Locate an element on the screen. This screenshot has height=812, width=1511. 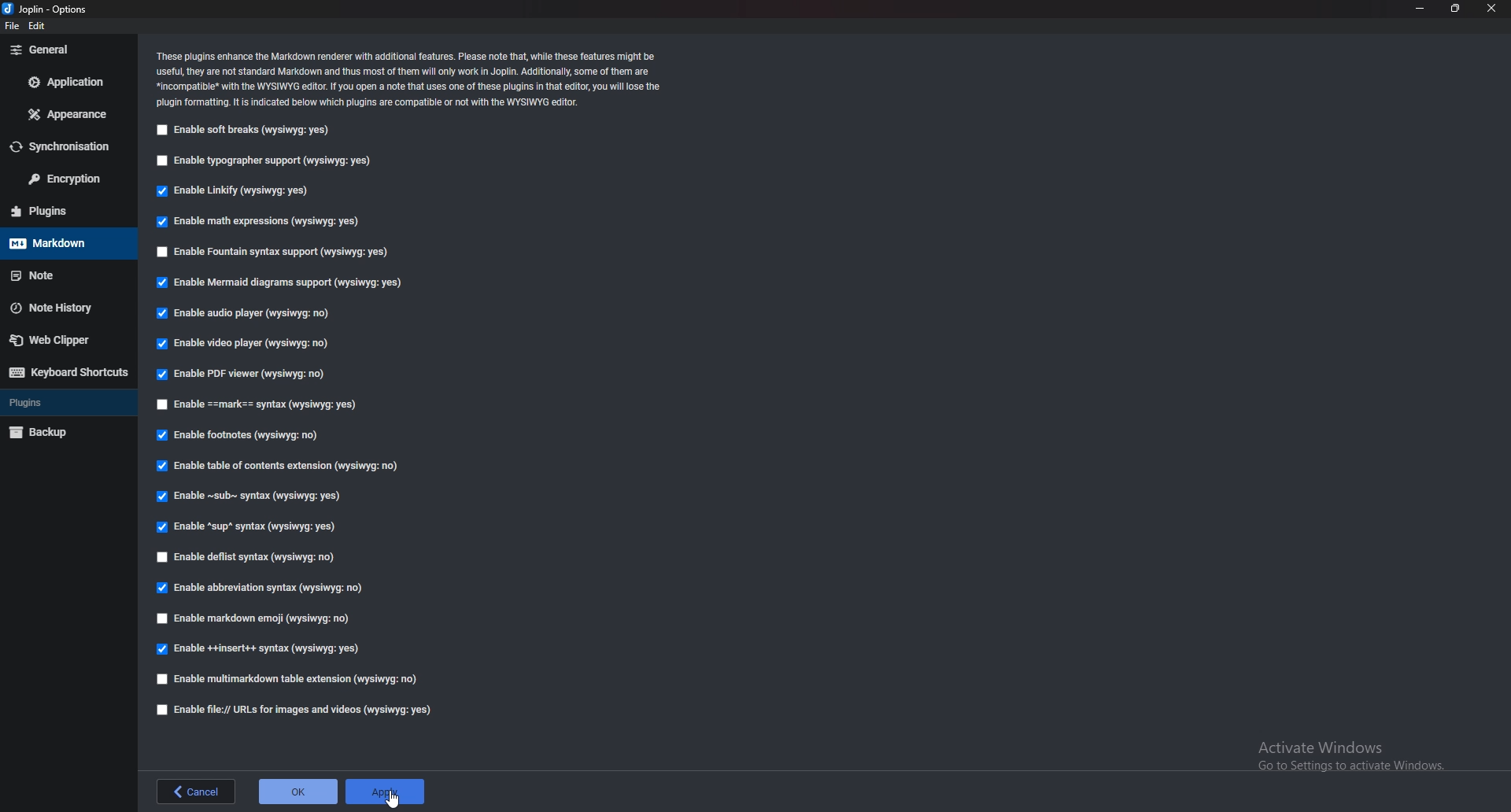
edit is located at coordinates (40, 24).